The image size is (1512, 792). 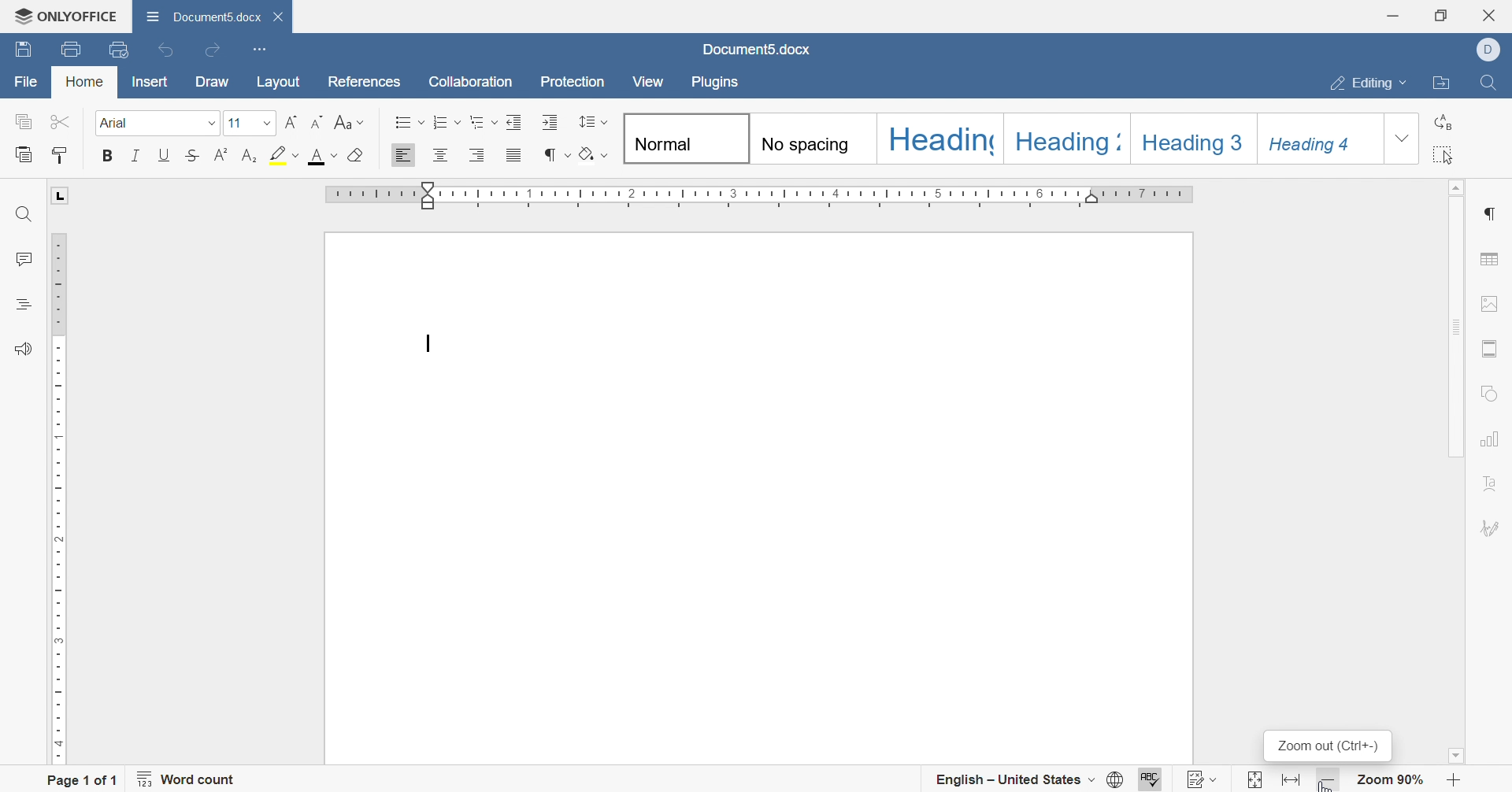 What do you see at coordinates (120, 50) in the screenshot?
I see `quick print` at bounding box center [120, 50].